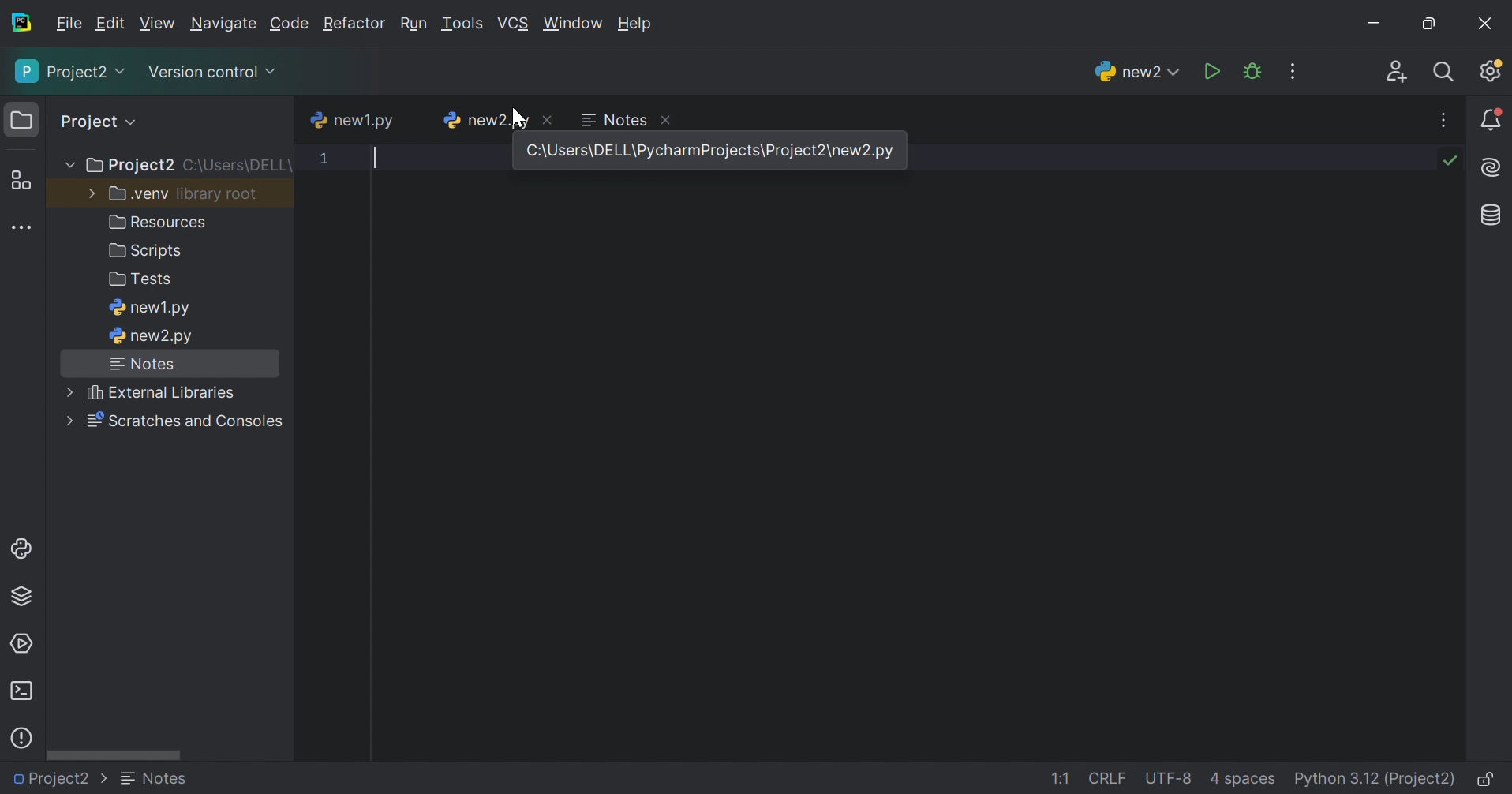 The image size is (1512, 794). Describe the element at coordinates (220, 193) in the screenshot. I see `library root` at that location.